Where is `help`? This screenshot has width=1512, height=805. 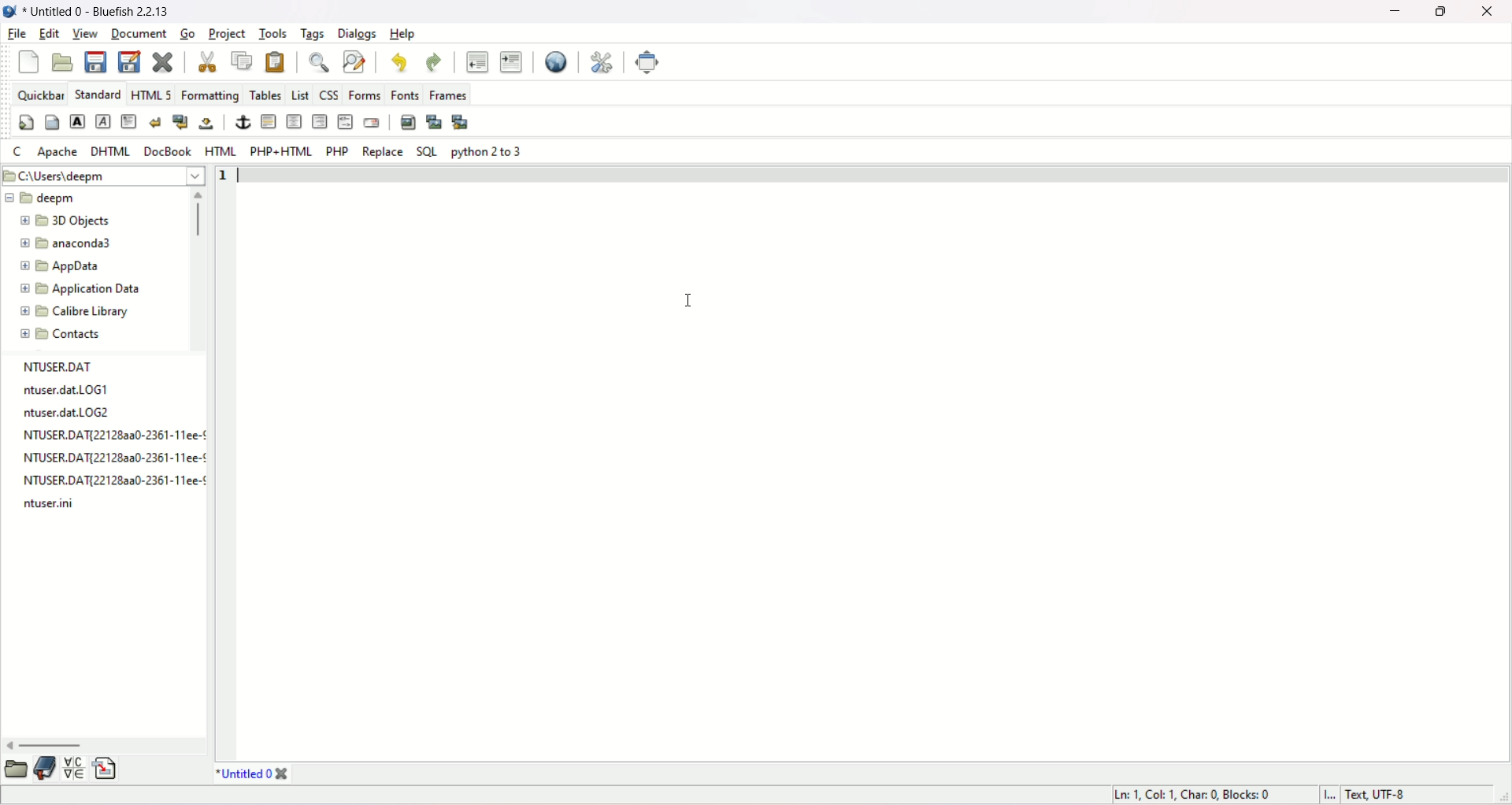
help is located at coordinates (404, 35).